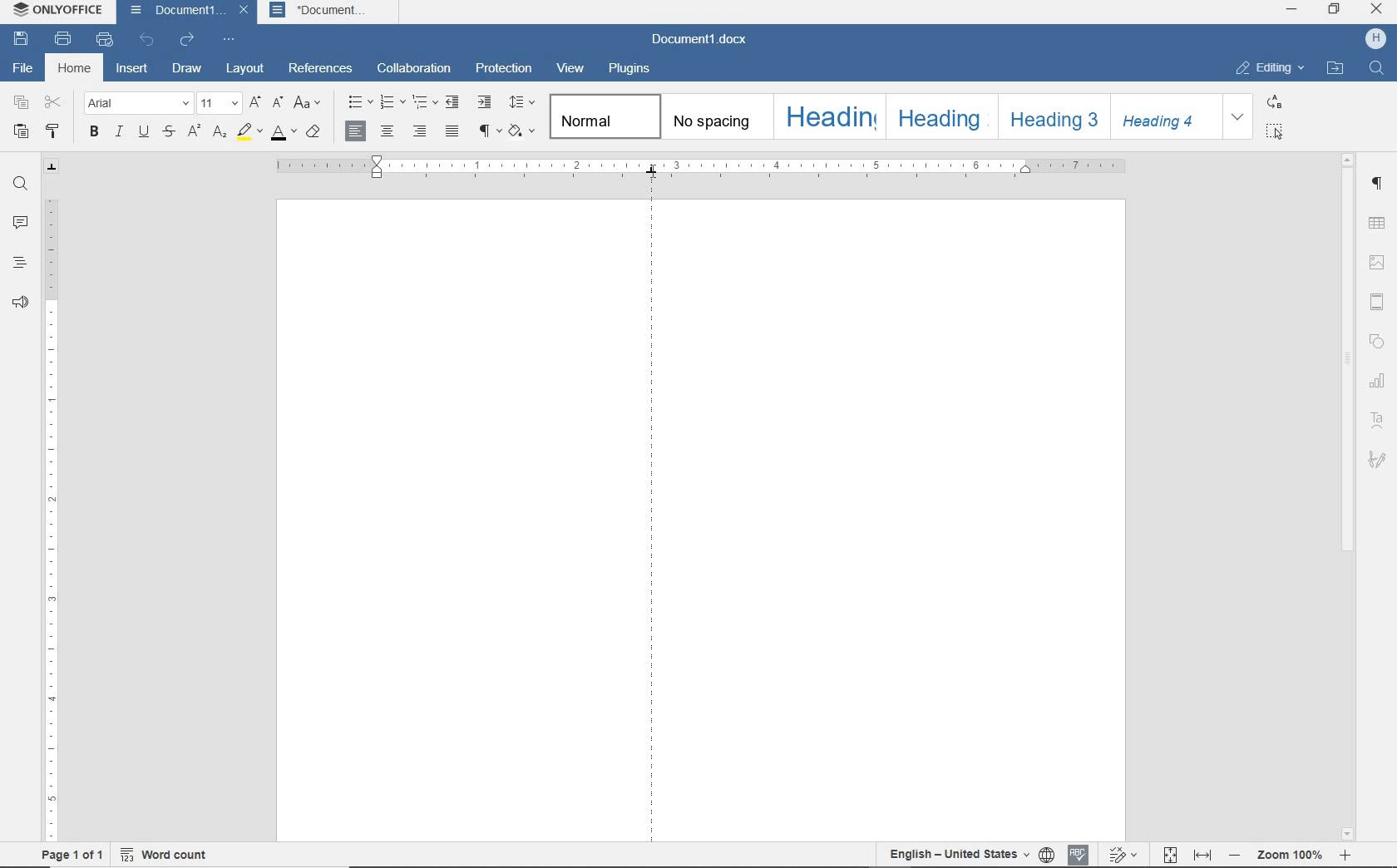 The height and width of the screenshot is (868, 1397). Describe the element at coordinates (1274, 102) in the screenshot. I see `REPLACE` at that location.